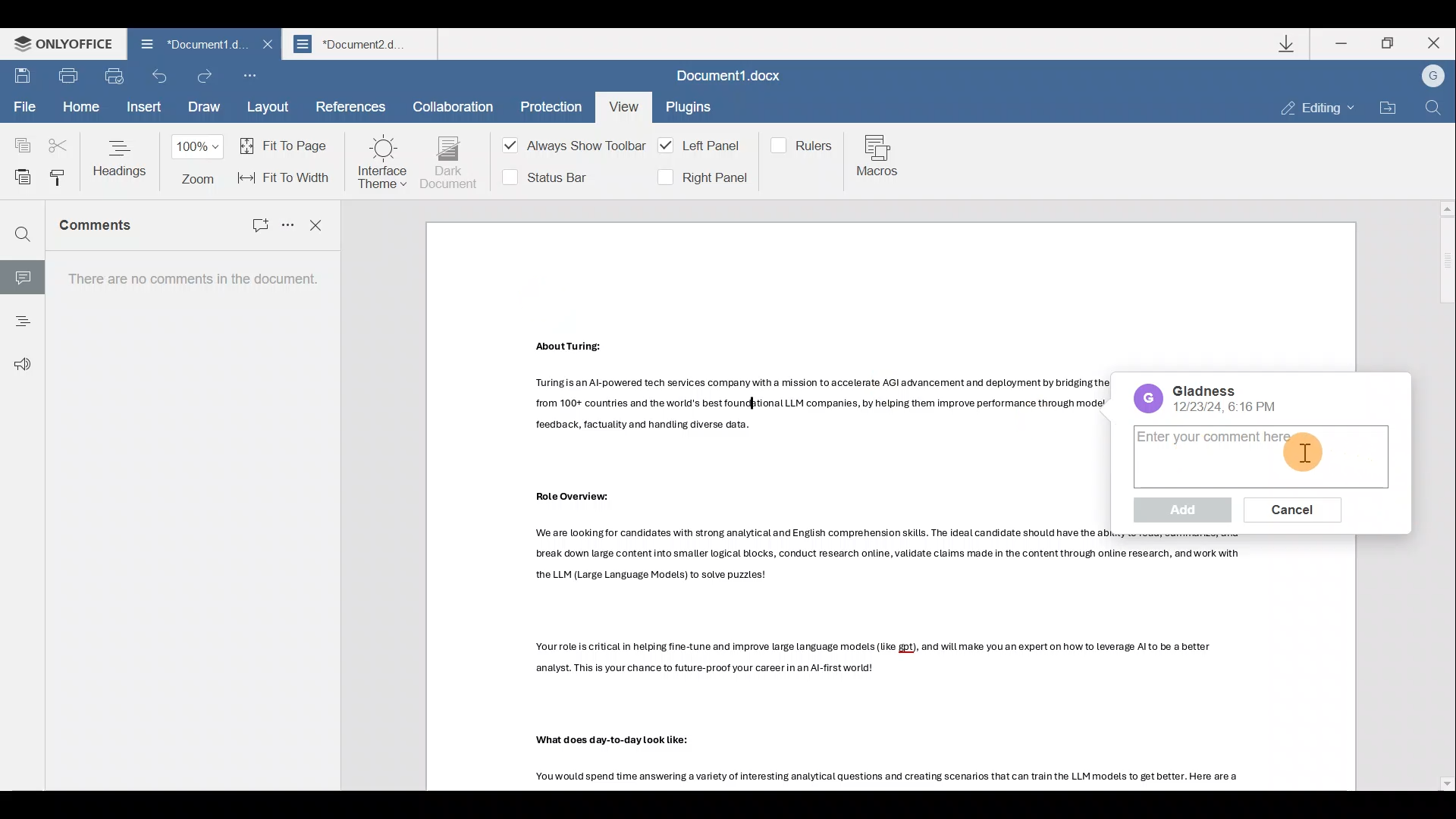 This screenshot has height=819, width=1456. What do you see at coordinates (1175, 508) in the screenshot?
I see `Add` at bounding box center [1175, 508].